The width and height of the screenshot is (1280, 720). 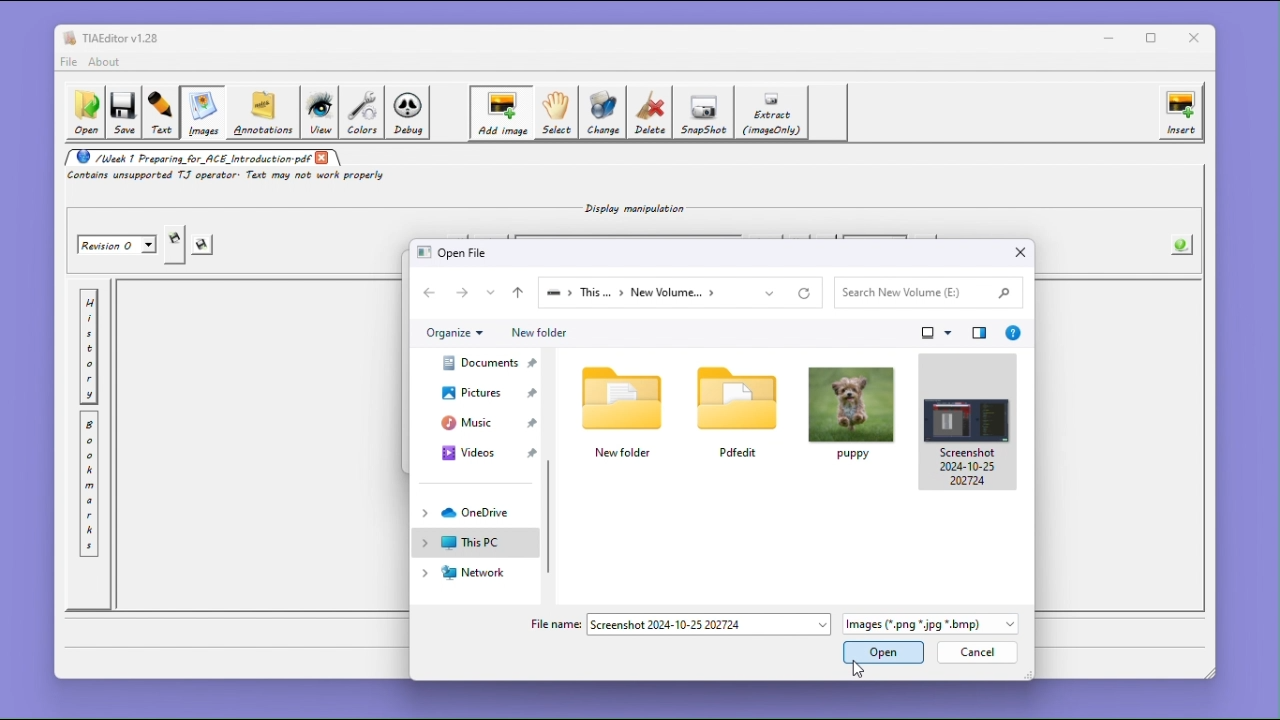 I want to click on Contains unsupported TJ operator. Text may not work properly, so click(x=229, y=177).